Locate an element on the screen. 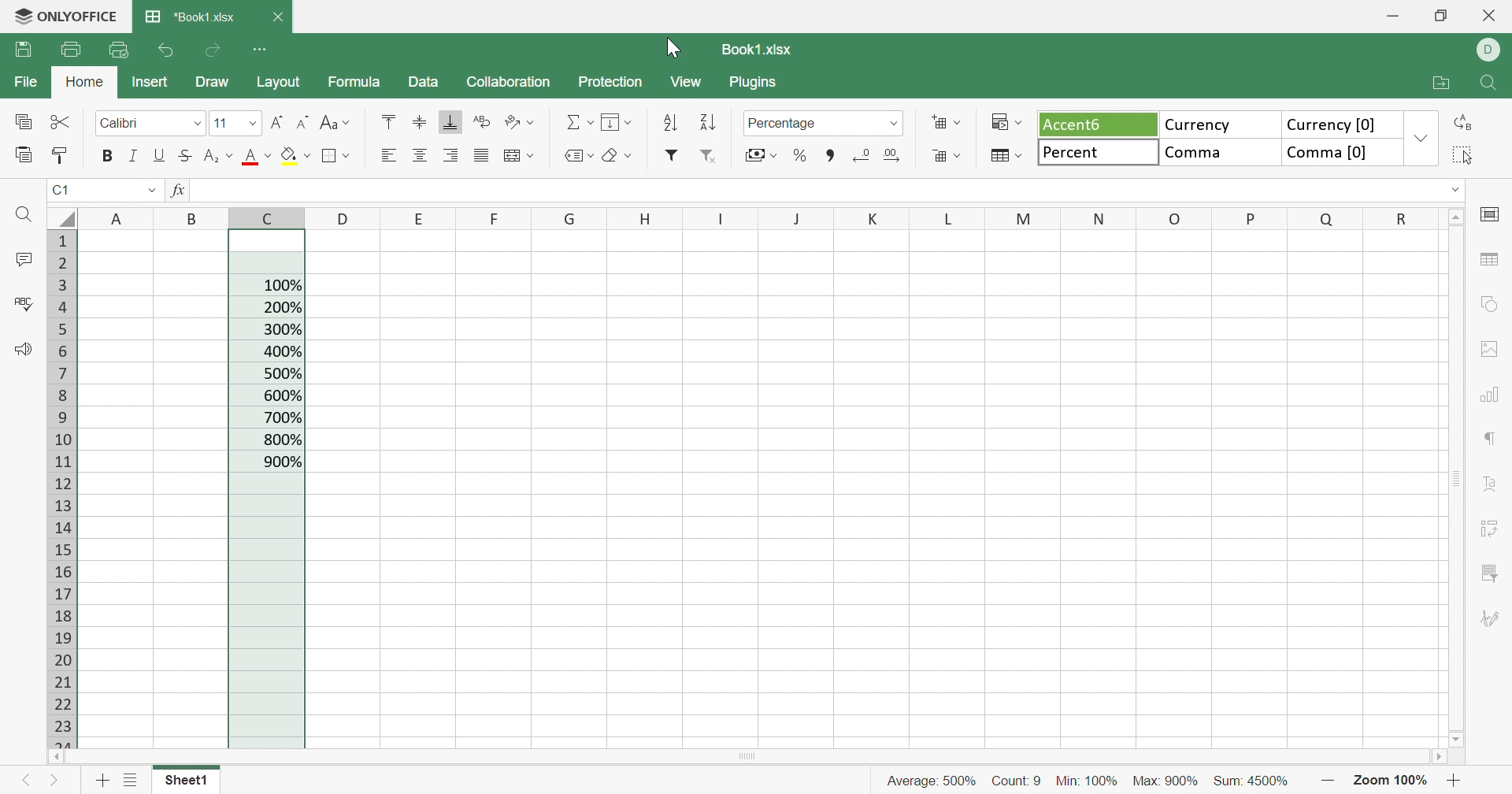 The image size is (1512, 794). Find is located at coordinates (1492, 84).